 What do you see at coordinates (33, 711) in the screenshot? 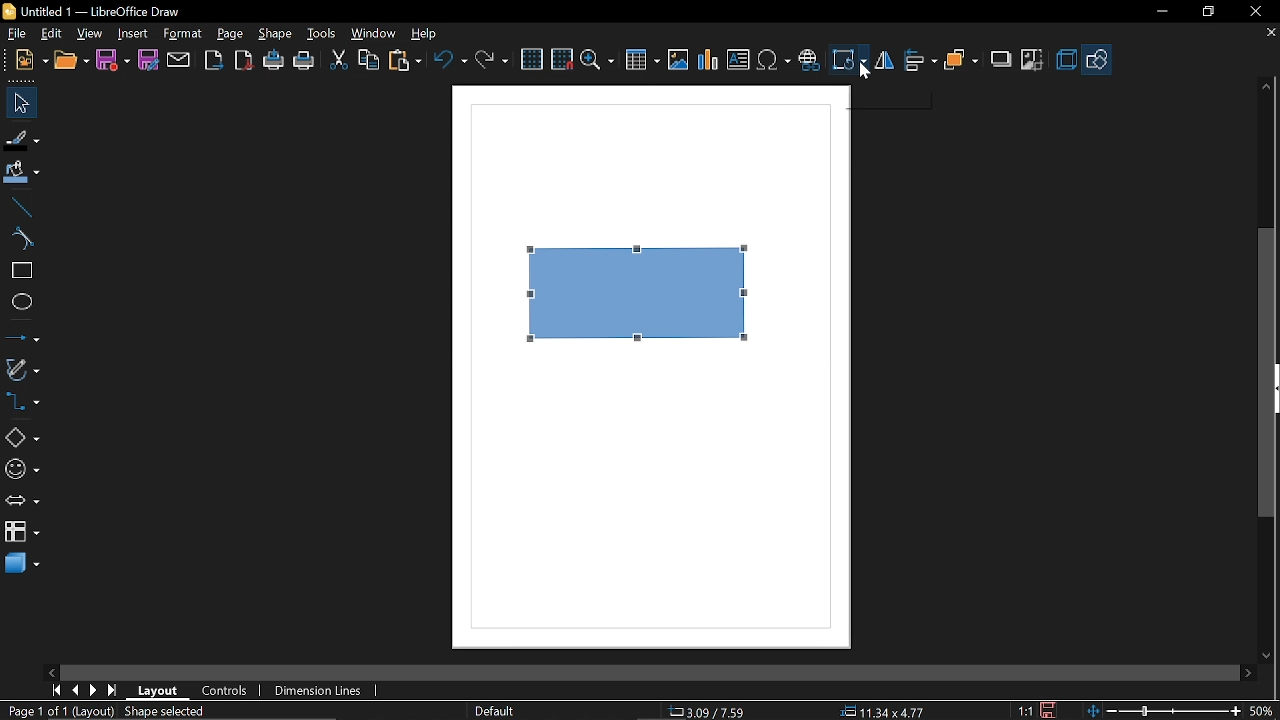
I see `Page 1 of 1` at bounding box center [33, 711].